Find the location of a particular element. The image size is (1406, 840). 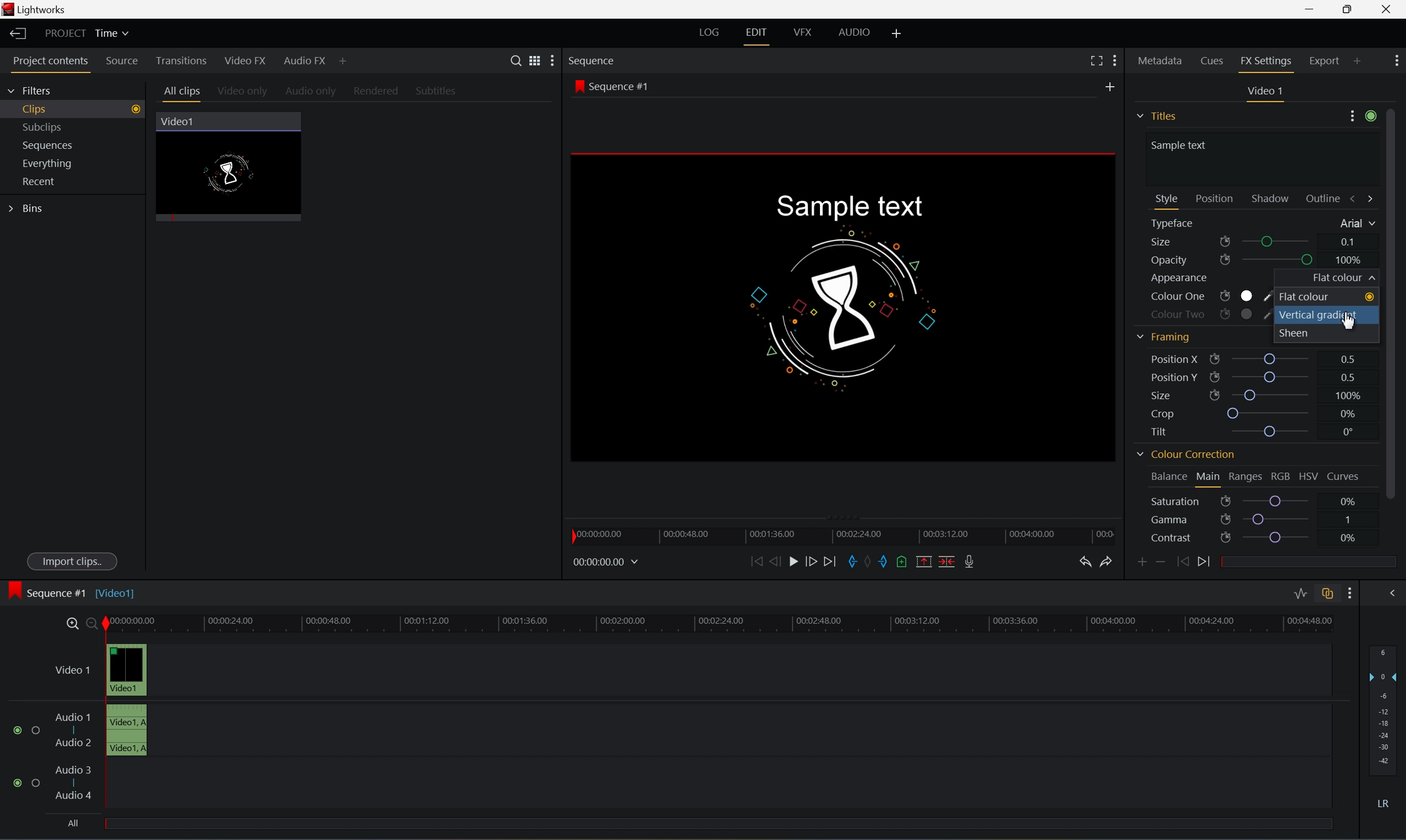

Timeline Navigator is located at coordinates (847, 534).